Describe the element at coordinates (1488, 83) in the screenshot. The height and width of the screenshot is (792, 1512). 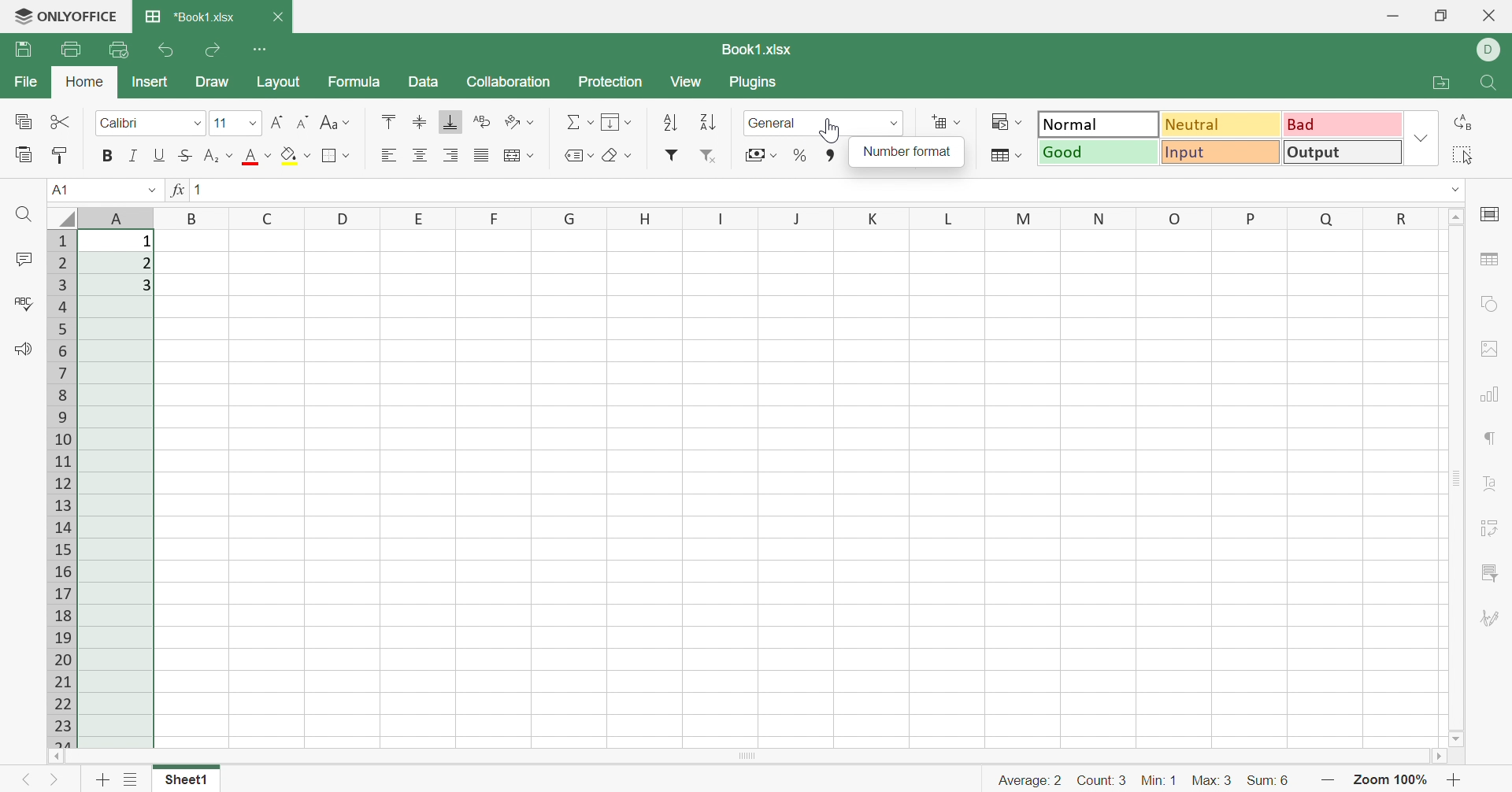
I see `Find` at that location.